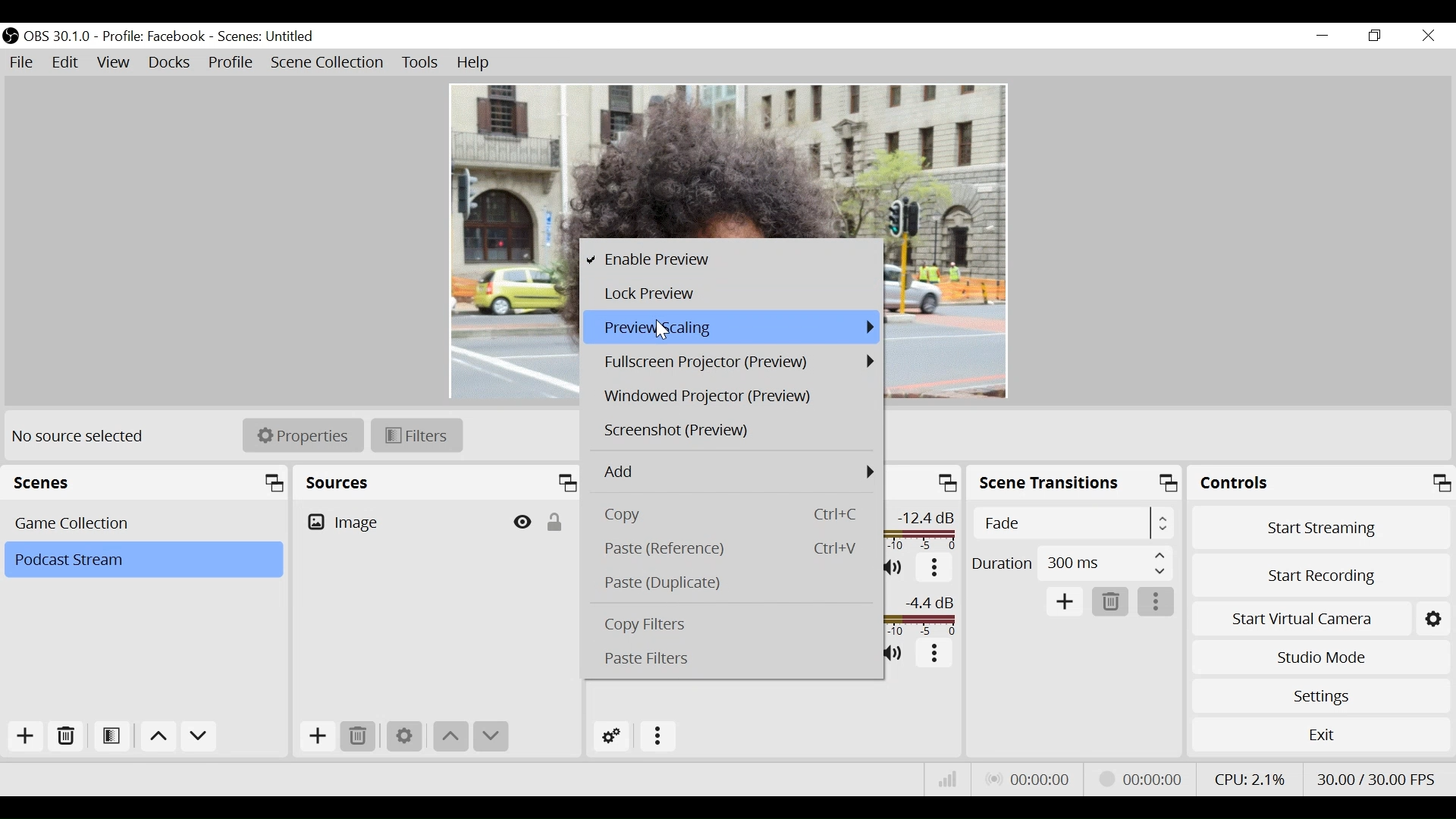 The width and height of the screenshot is (1456, 819). Describe the element at coordinates (1322, 657) in the screenshot. I see `Studio Mode` at that location.